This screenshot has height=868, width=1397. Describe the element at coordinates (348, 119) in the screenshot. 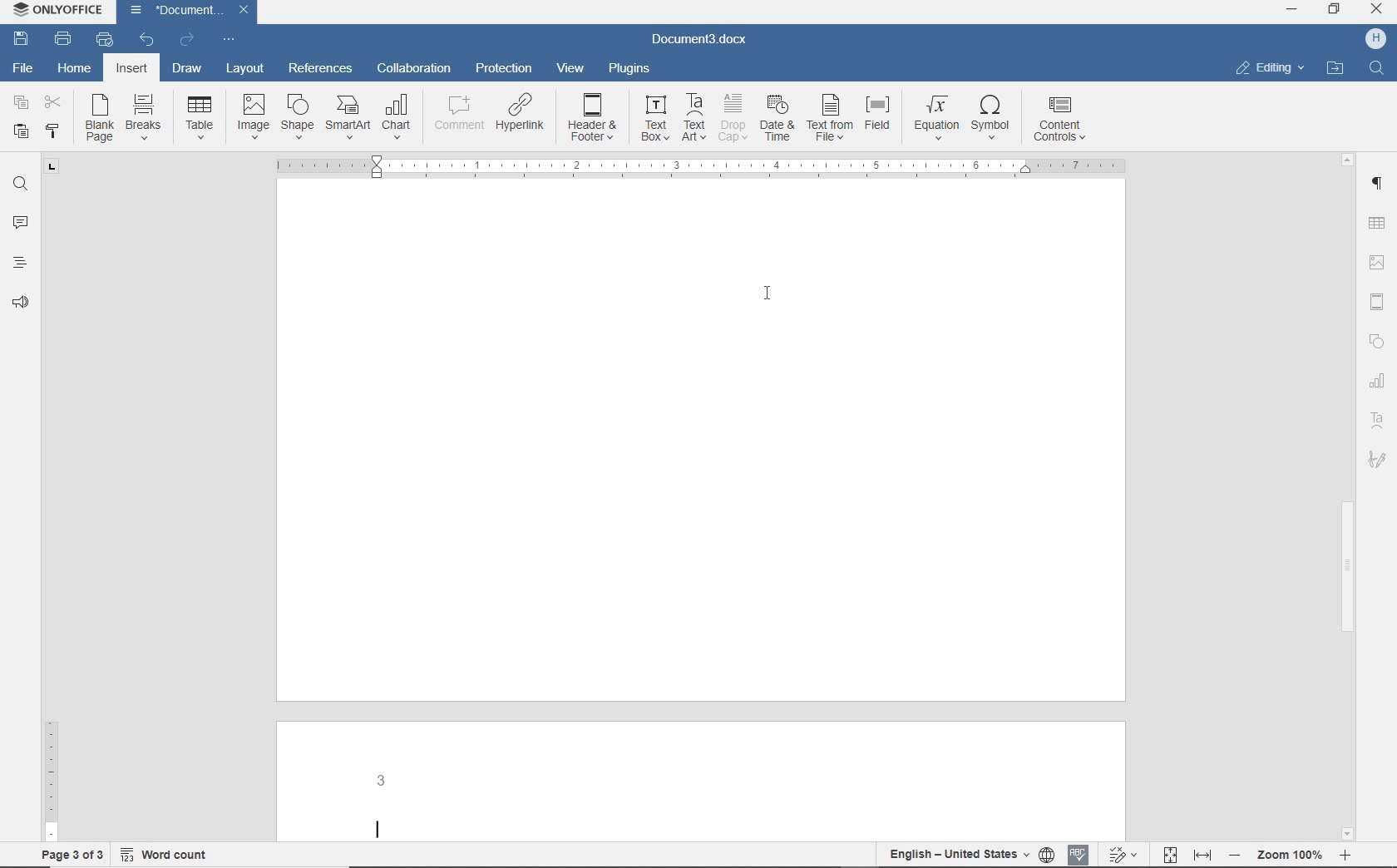

I see `SMARTART` at that location.